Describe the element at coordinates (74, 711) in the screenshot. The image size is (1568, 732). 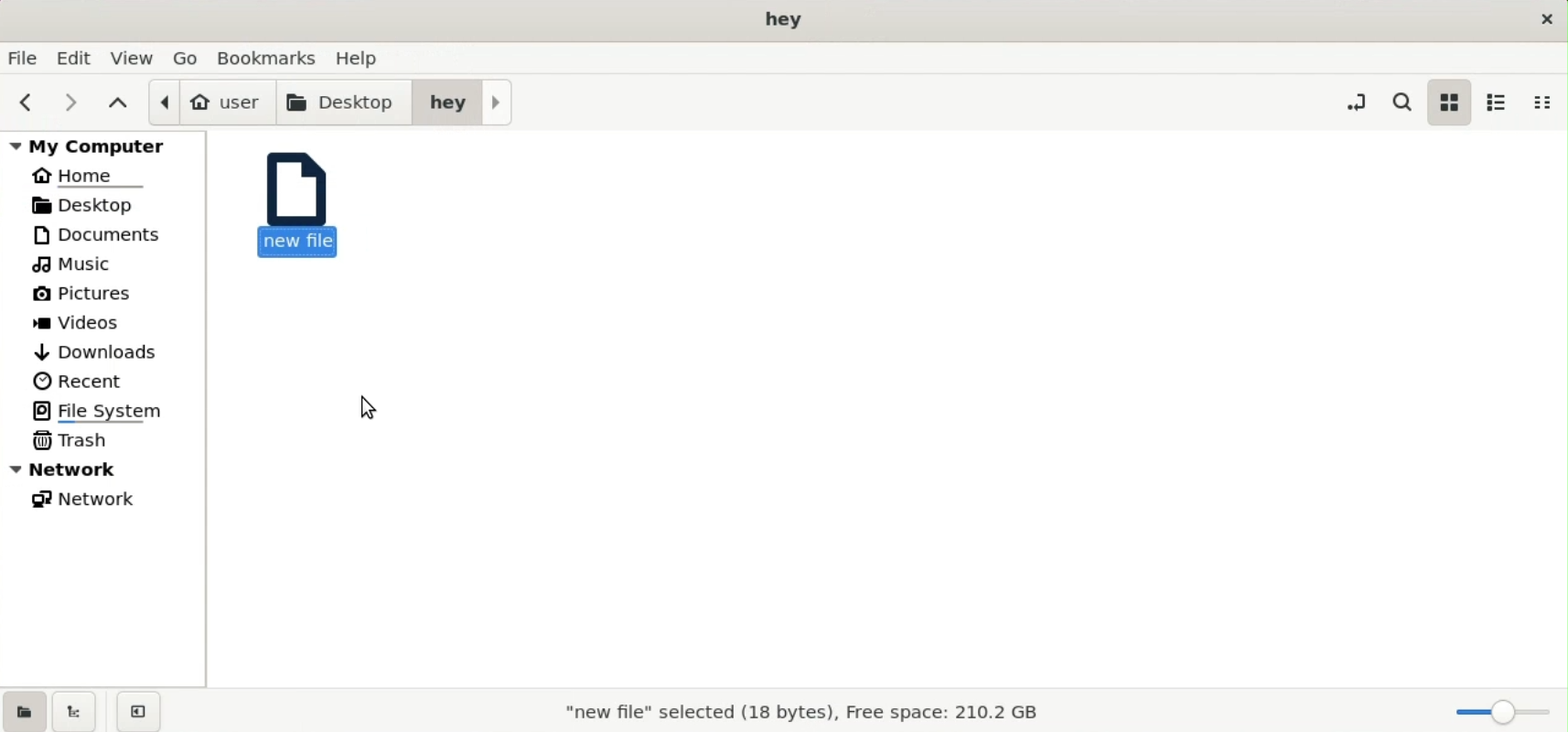
I see `show treeview` at that location.